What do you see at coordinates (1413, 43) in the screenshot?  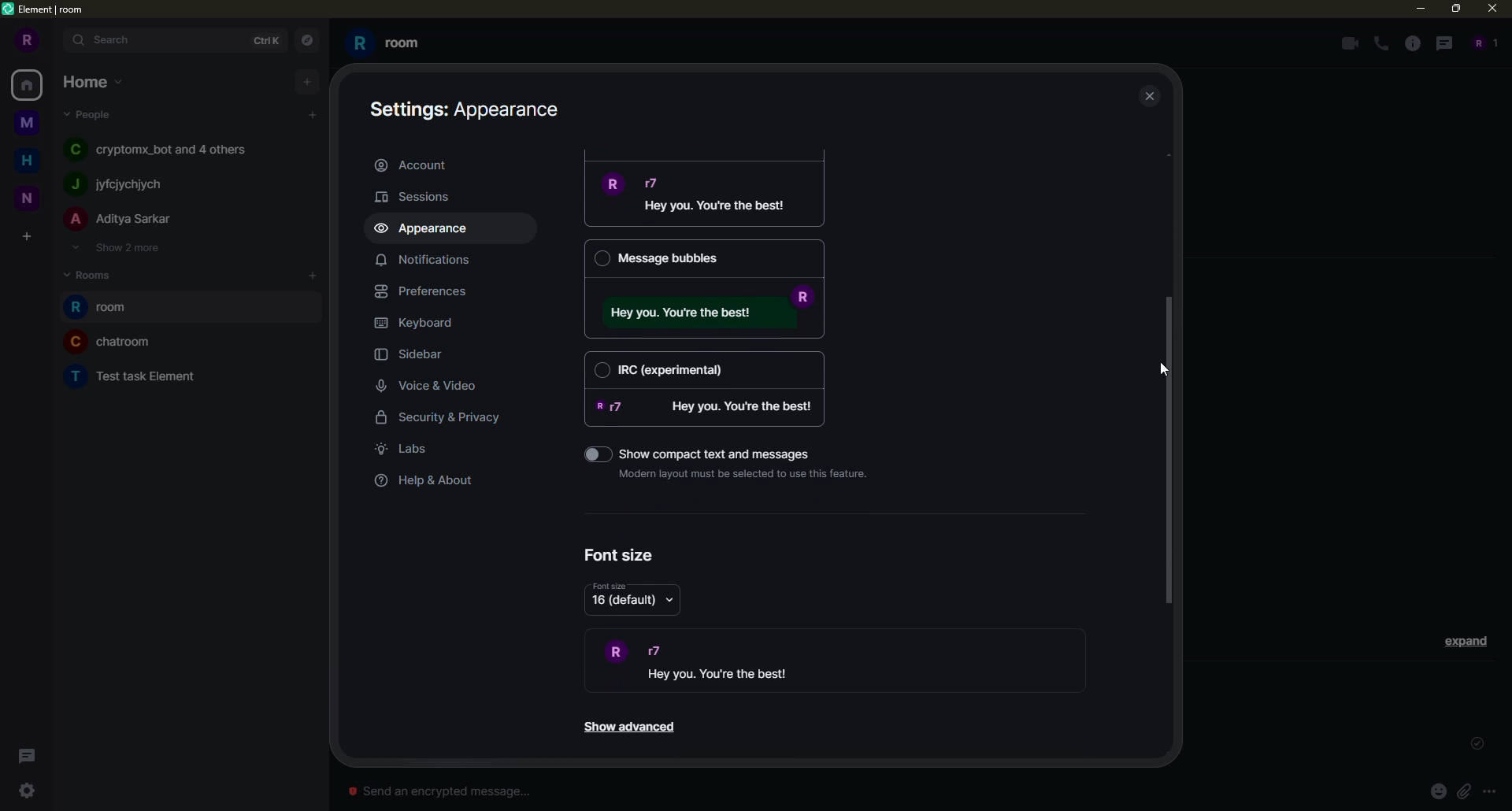 I see `info` at bounding box center [1413, 43].